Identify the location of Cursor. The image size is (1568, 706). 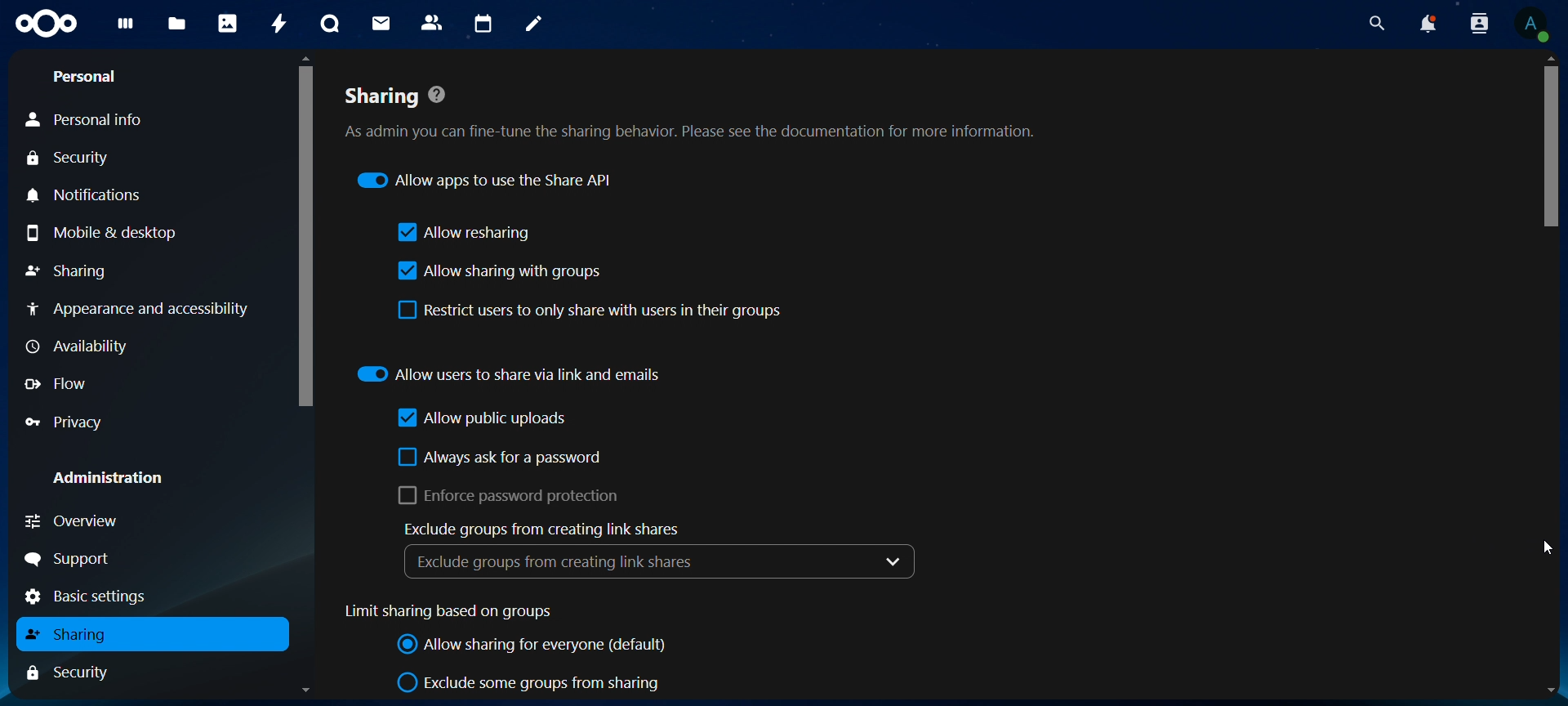
(1546, 547).